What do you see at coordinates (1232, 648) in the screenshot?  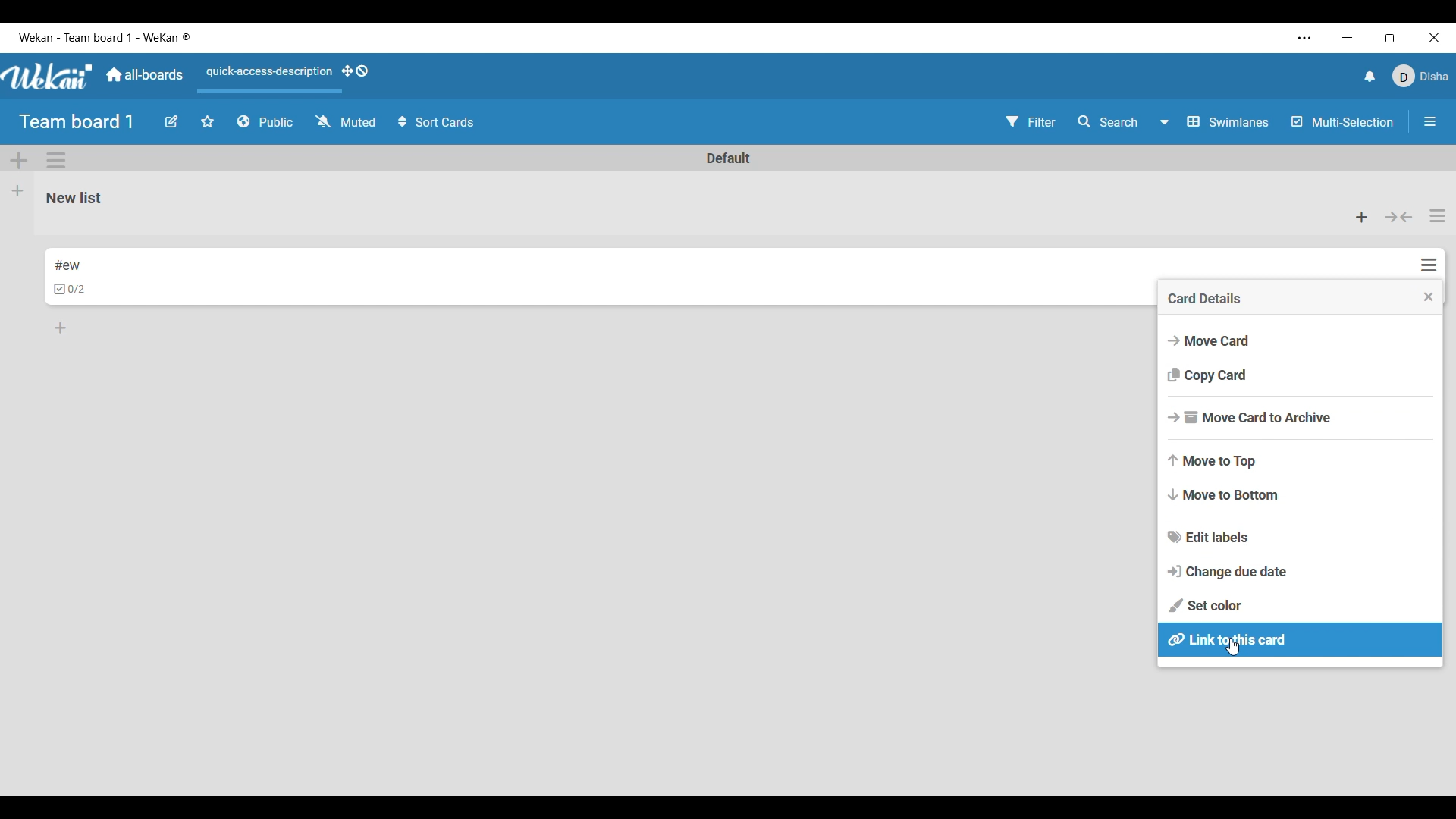 I see `cursor` at bounding box center [1232, 648].